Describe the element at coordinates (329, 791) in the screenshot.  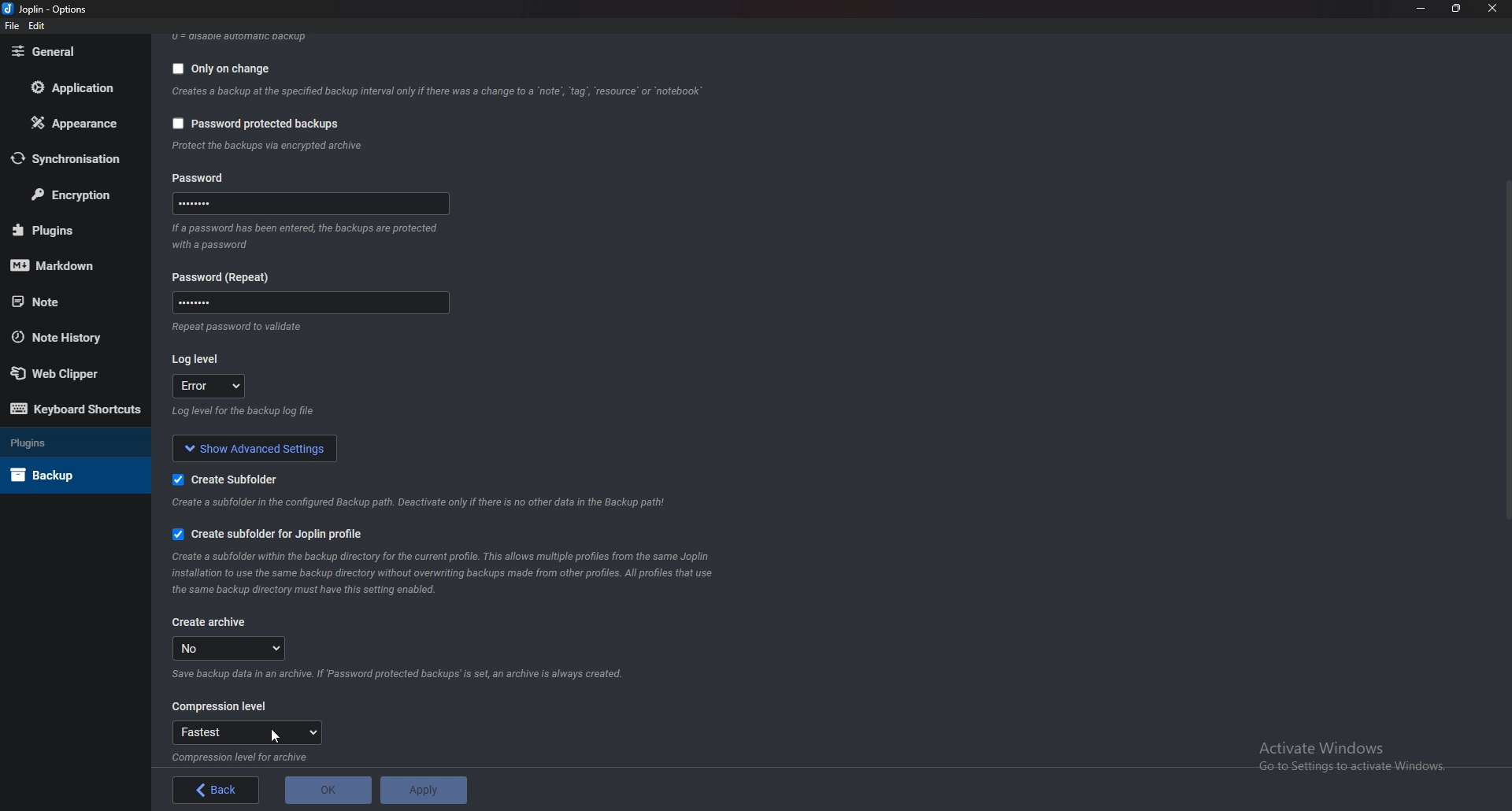
I see `o K` at that location.